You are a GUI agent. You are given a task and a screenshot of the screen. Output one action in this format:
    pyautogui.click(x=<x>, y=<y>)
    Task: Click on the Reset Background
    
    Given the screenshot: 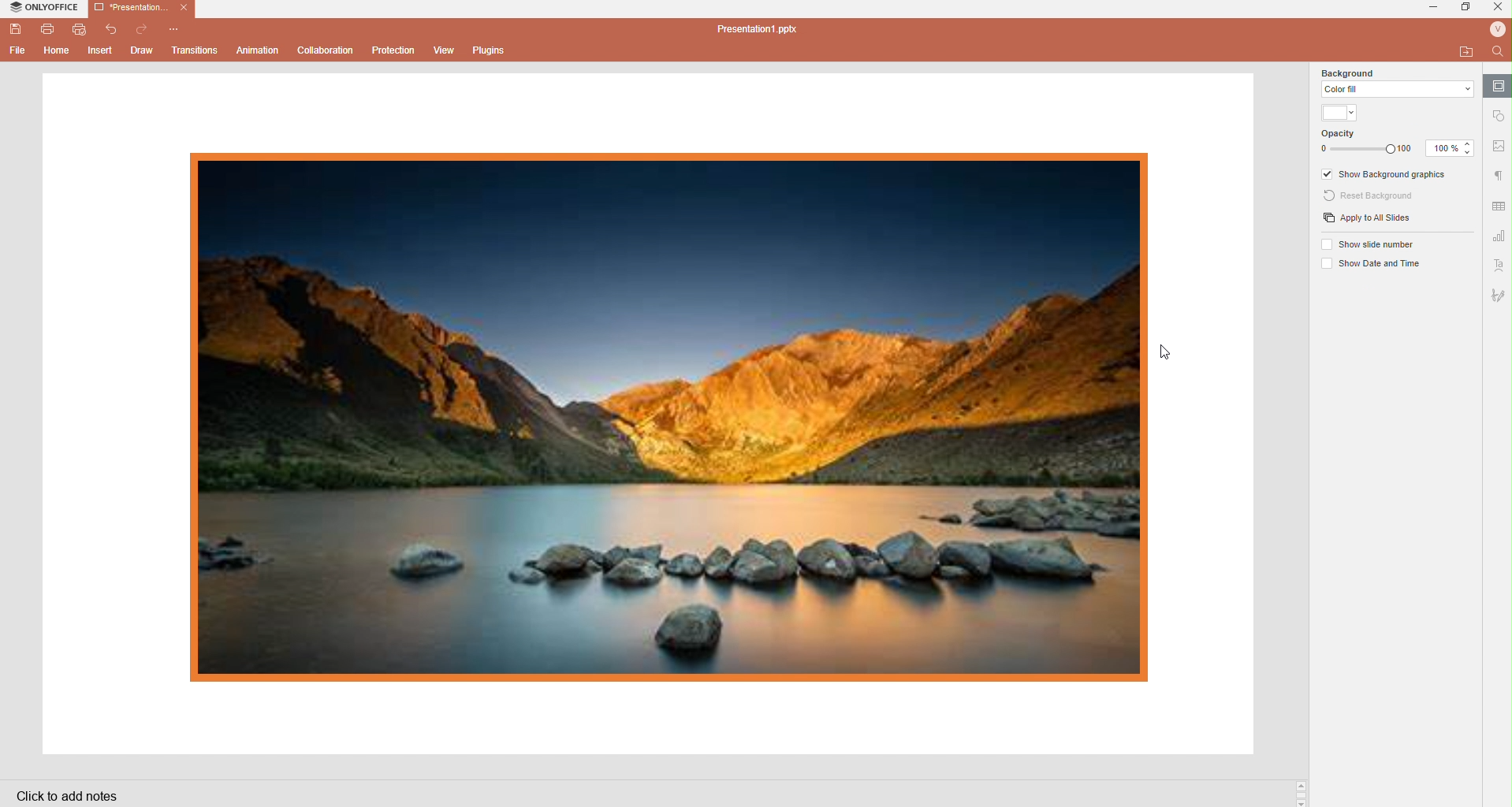 What is the action you would take?
    pyautogui.click(x=1372, y=199)
    